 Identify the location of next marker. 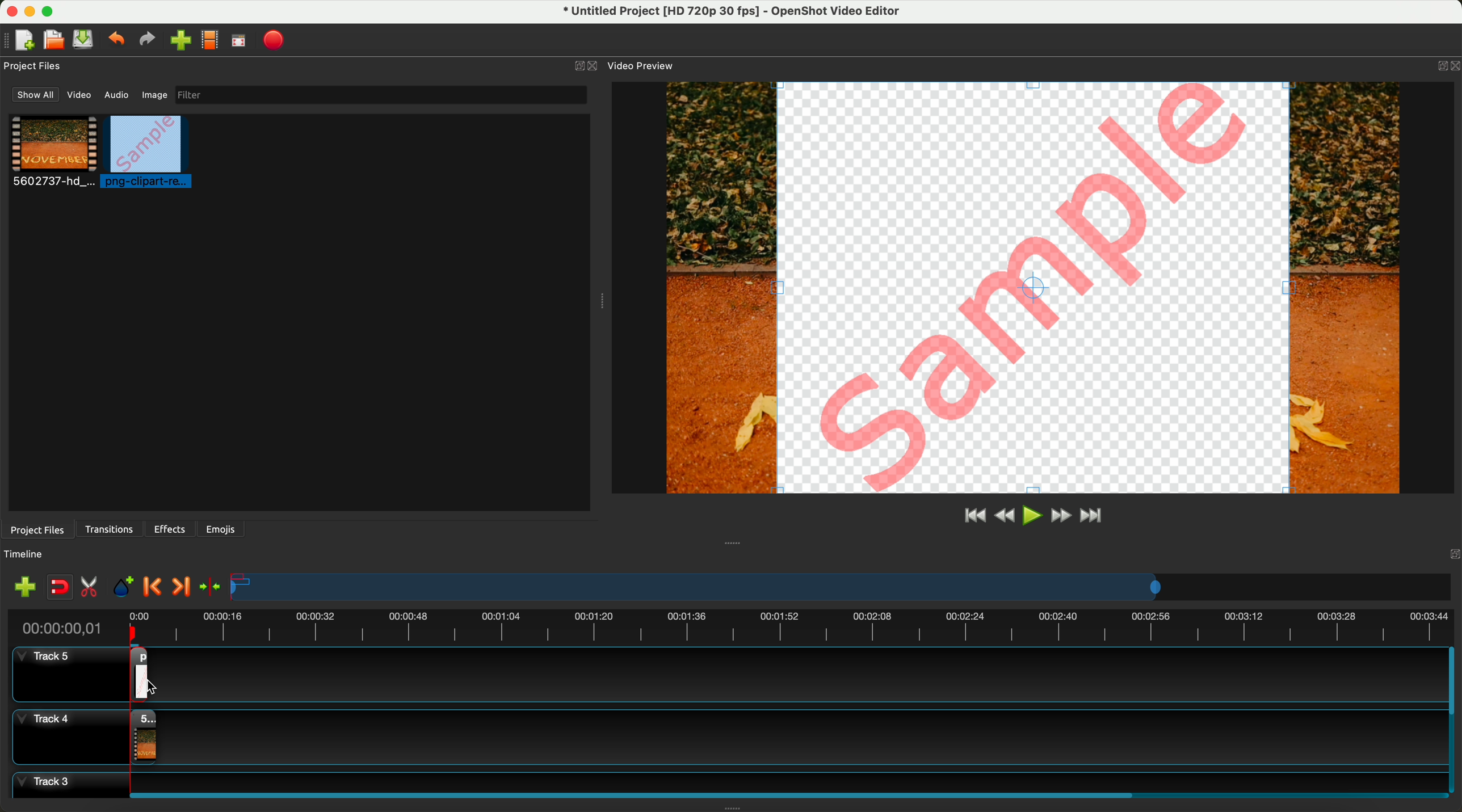
(180, 587).